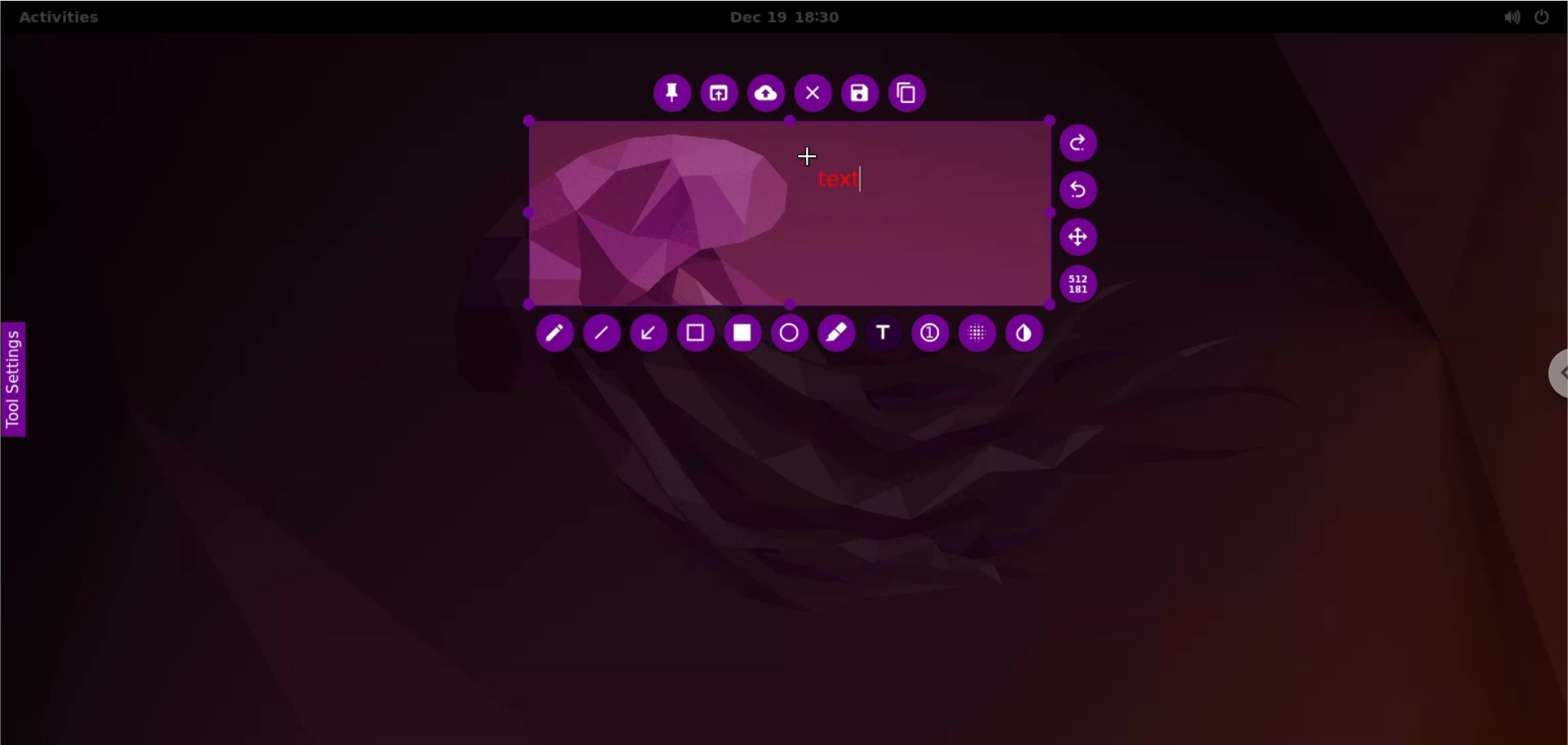 Image resolution: width=1568 pixels, height=745 pixels. I want to click on circle tool, so click(791, 334).